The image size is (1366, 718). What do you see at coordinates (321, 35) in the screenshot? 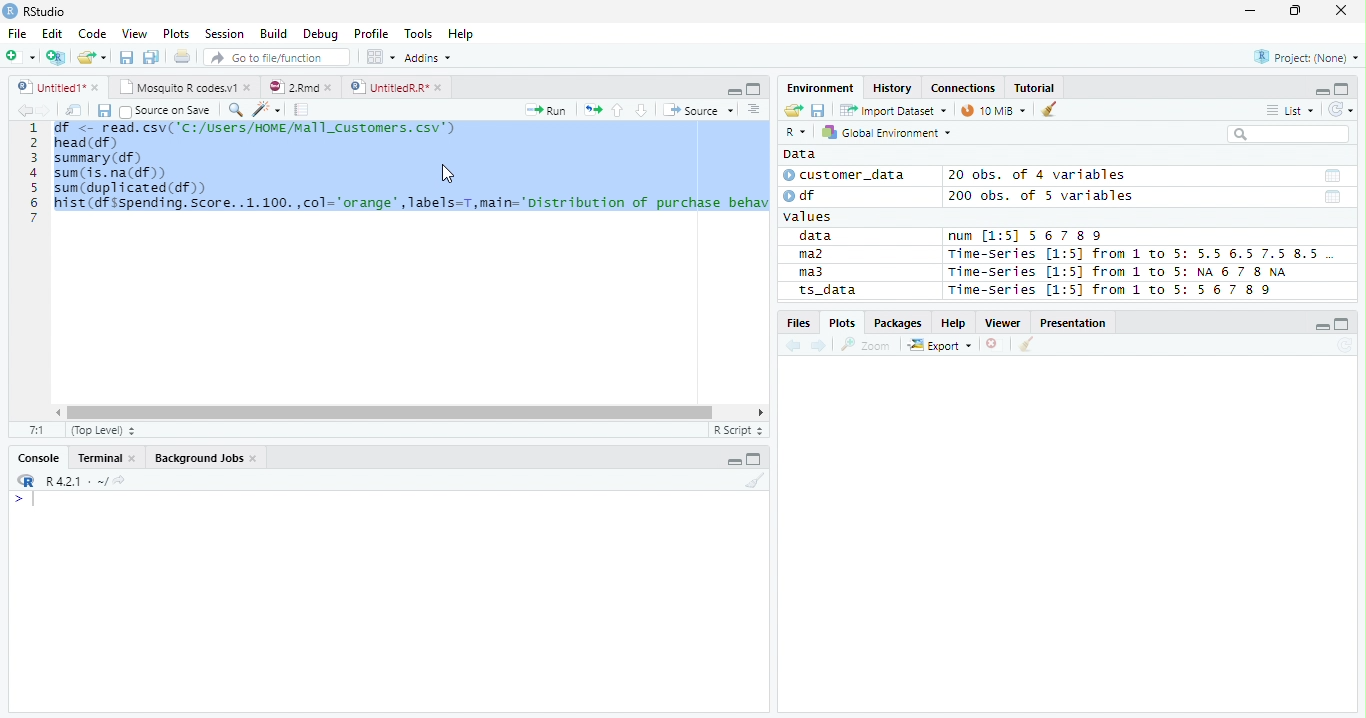
I see `Debug` at bounding box center [321, 35].